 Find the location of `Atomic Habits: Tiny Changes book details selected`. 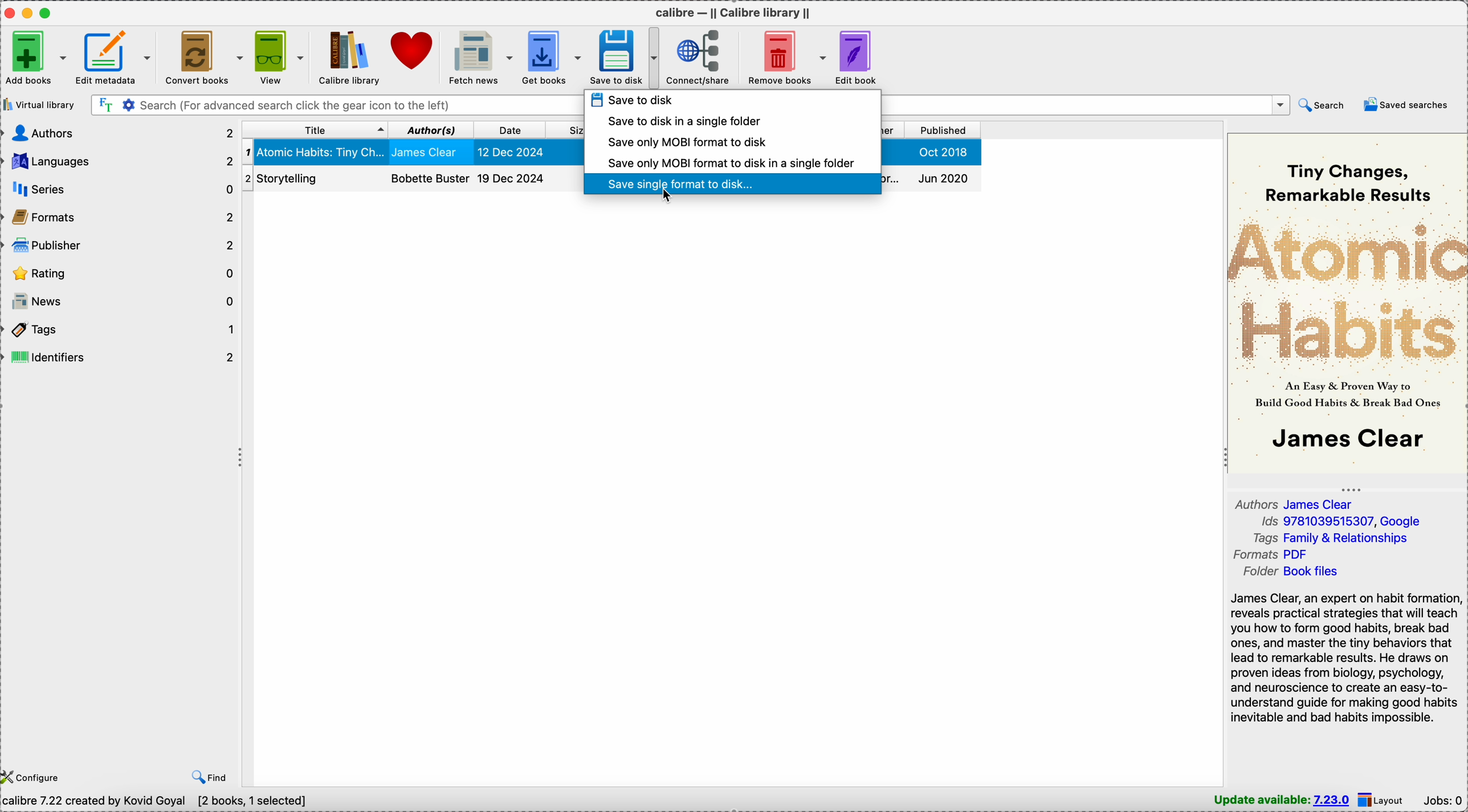

Atomic Habits: Tiny Changes book details selected is located at coordinates (409, 153).